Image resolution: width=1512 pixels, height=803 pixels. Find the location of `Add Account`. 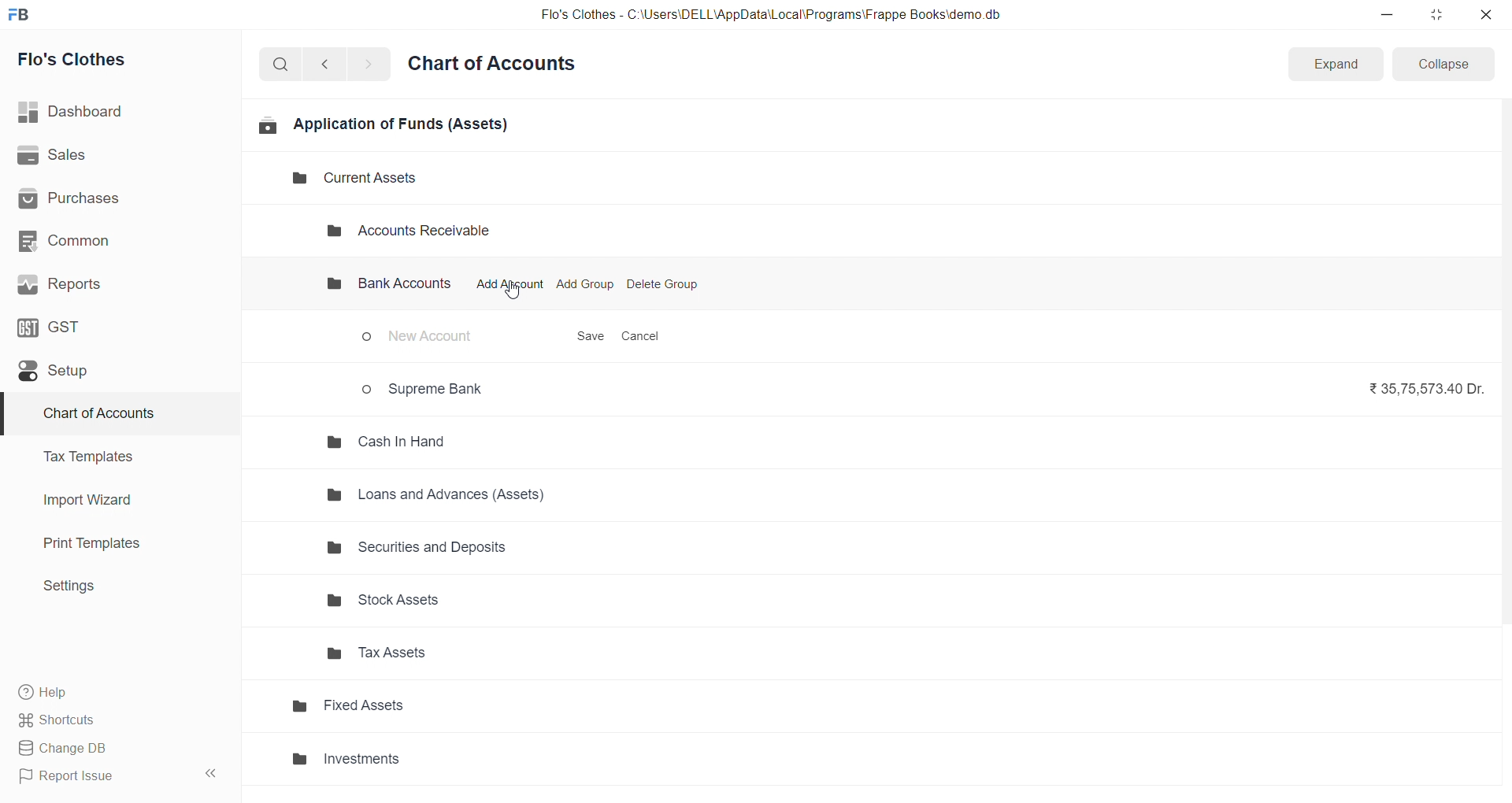

Add Account is located at coordinates (509, 284).